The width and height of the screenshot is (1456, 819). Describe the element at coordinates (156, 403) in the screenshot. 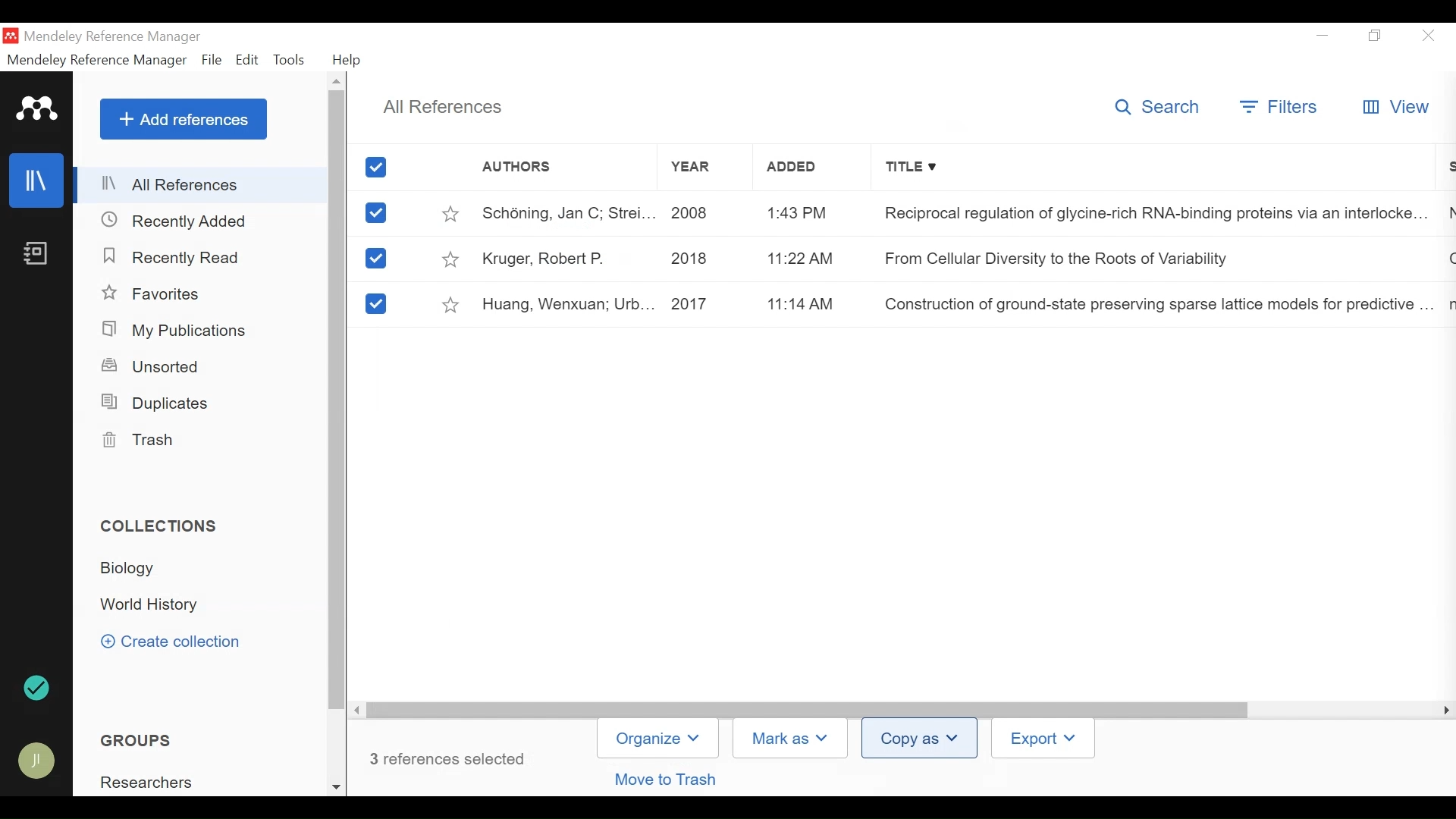

I see `Duplicates` at that location.